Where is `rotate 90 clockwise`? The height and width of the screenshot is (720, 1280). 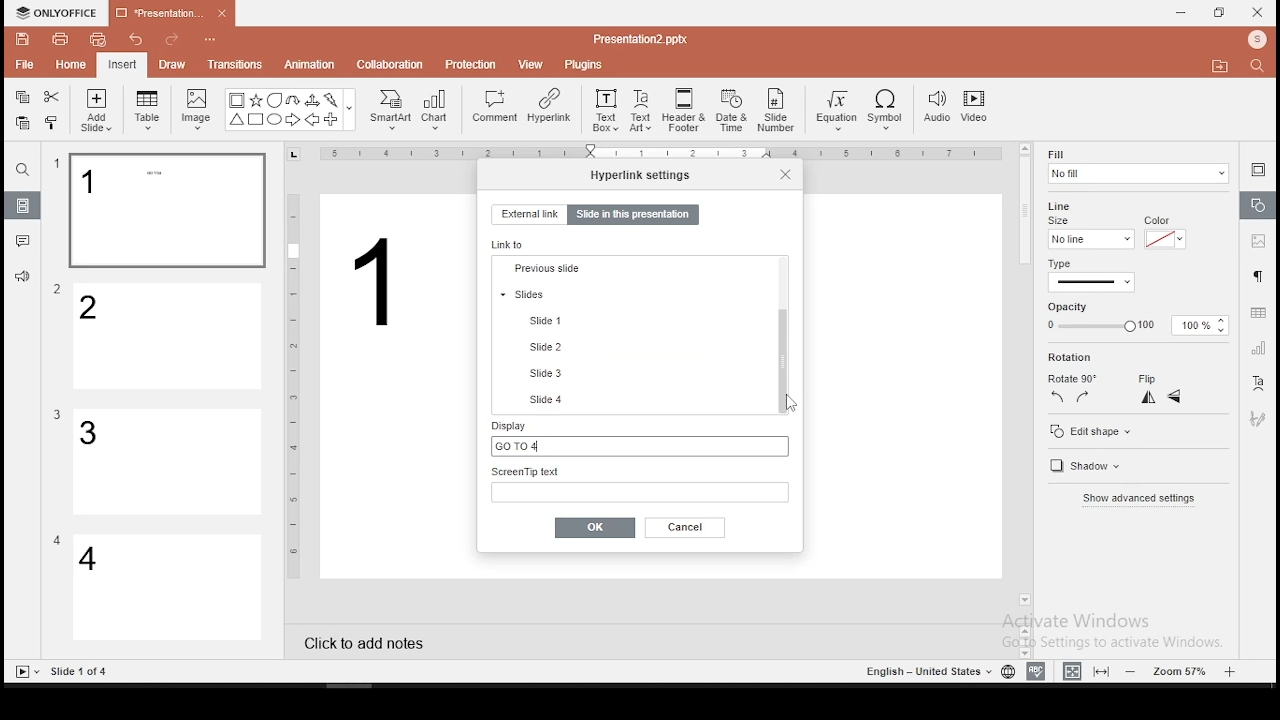
rotate 90 clockwise is located at coordinates (1084, 396).